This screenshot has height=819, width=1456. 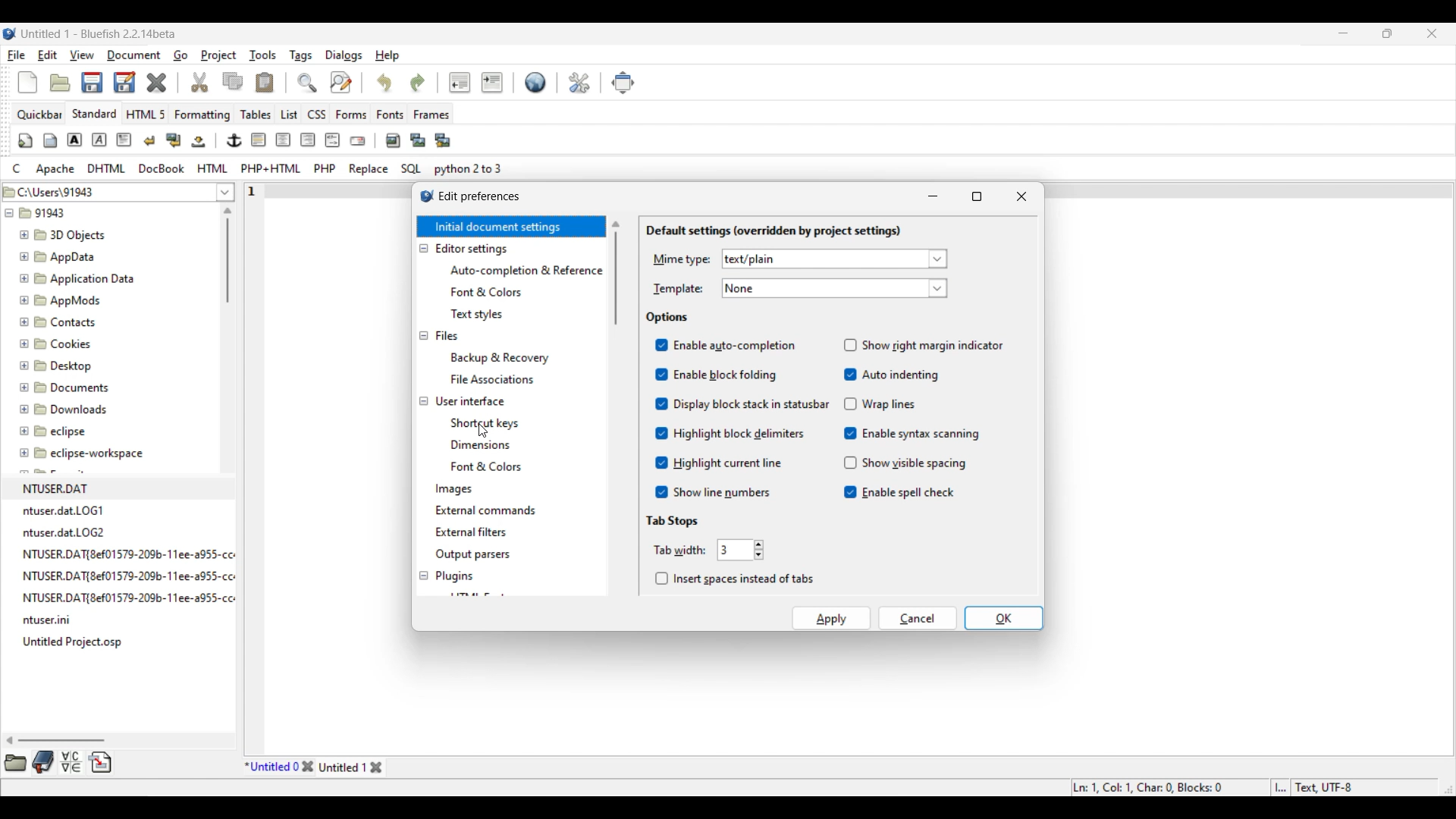 What do you see at coordinates (137, 576) in the screenshot?
I see `INTUSER.DAT{8¢f01579-209b-11ee-a955-cc:` at bounding box center [137, 576].